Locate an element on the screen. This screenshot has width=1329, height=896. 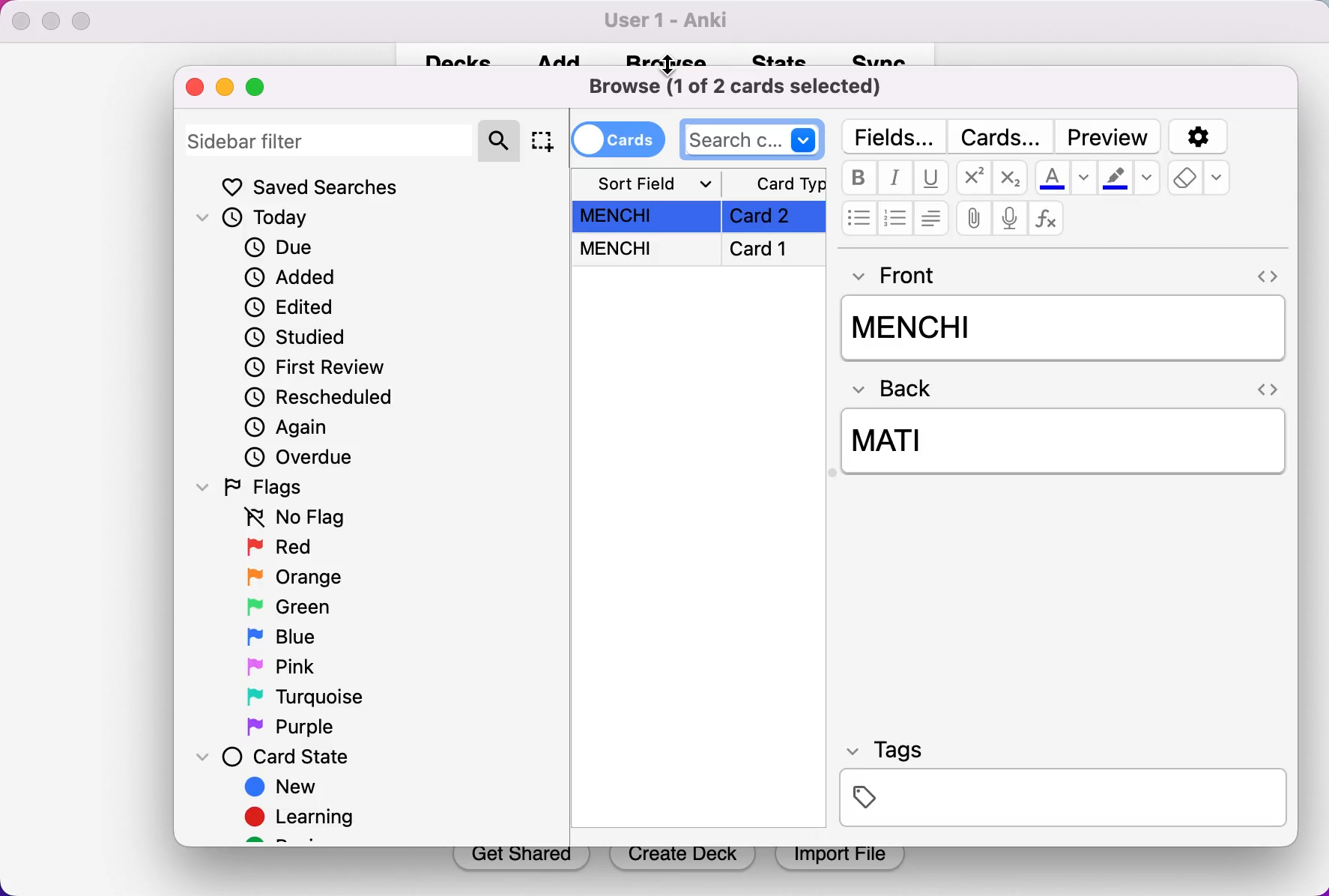
pink is located at coordinates (282, 668).